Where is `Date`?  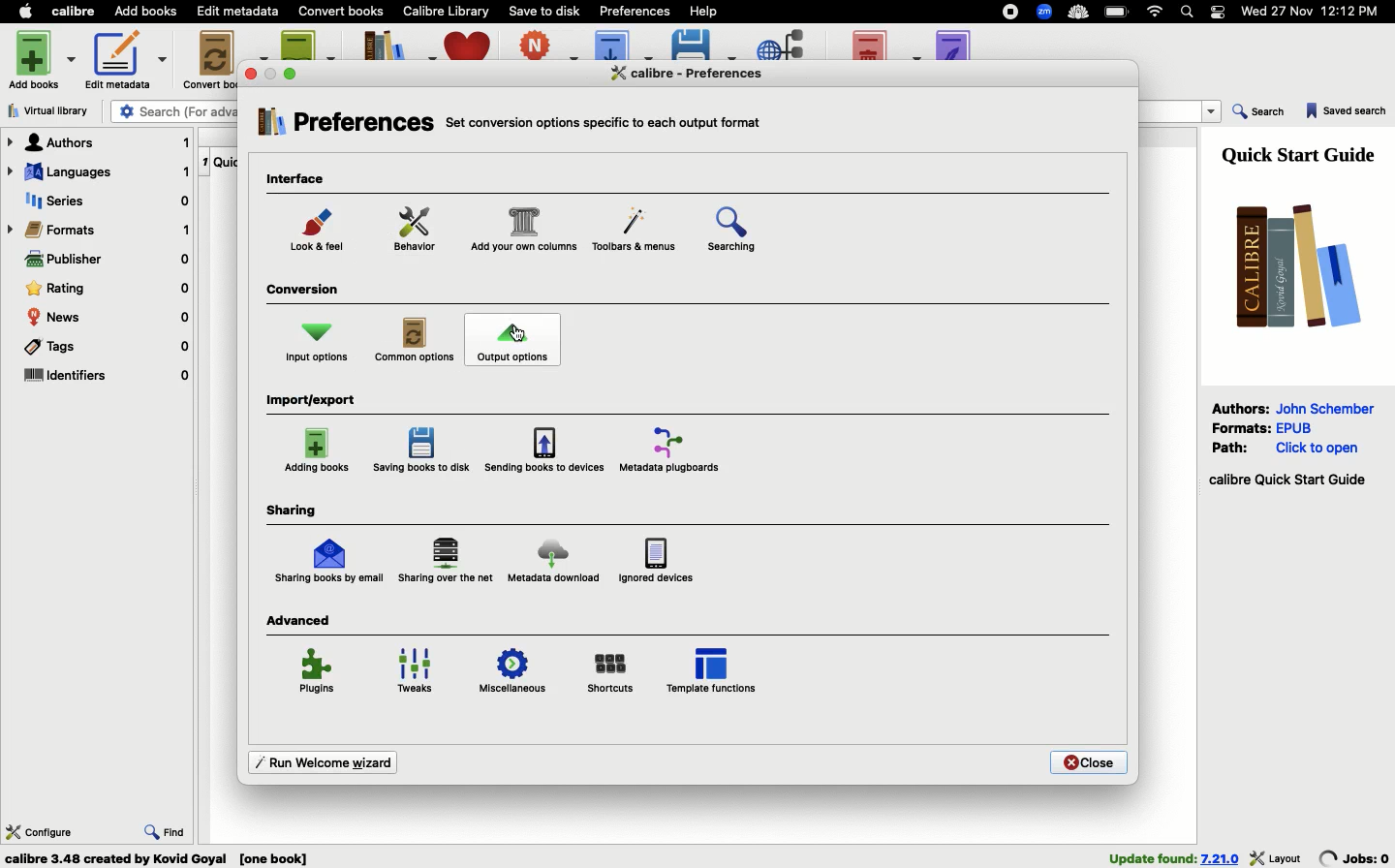 Date is located at coordinates (1317, 13).